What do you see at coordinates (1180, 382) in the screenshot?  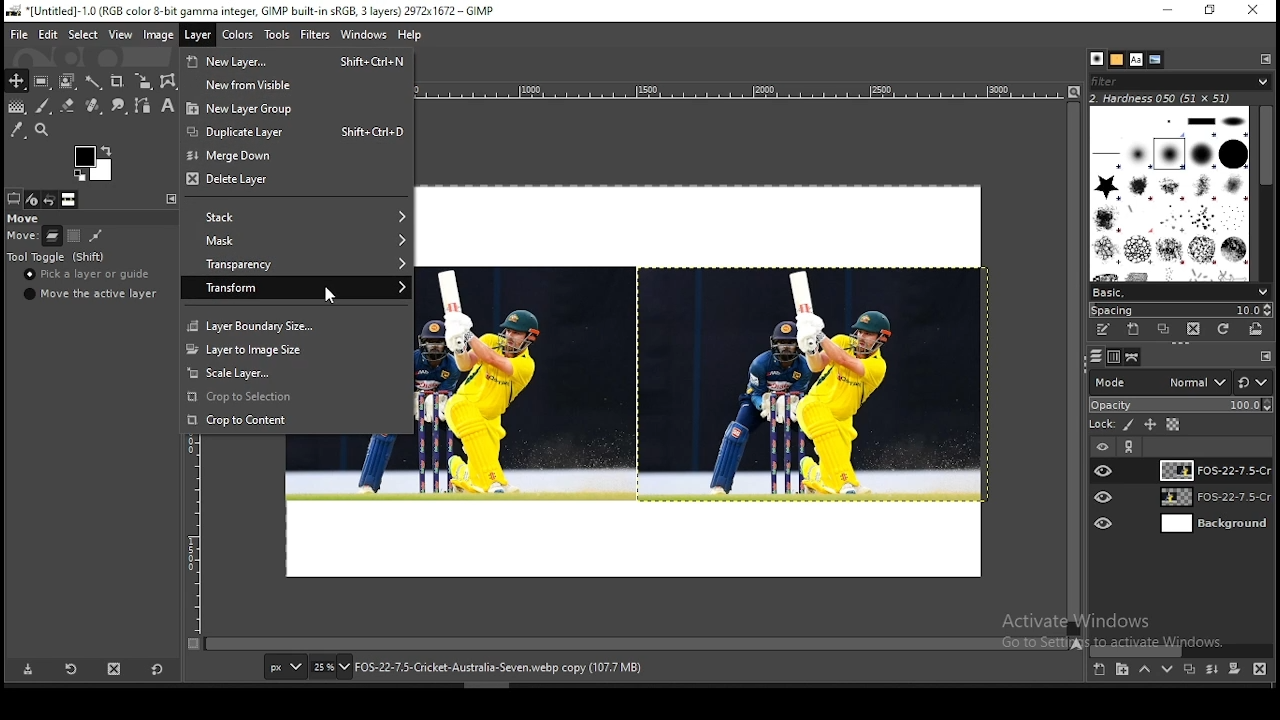 I see `blend mode` at bounding box center [1180, 382].